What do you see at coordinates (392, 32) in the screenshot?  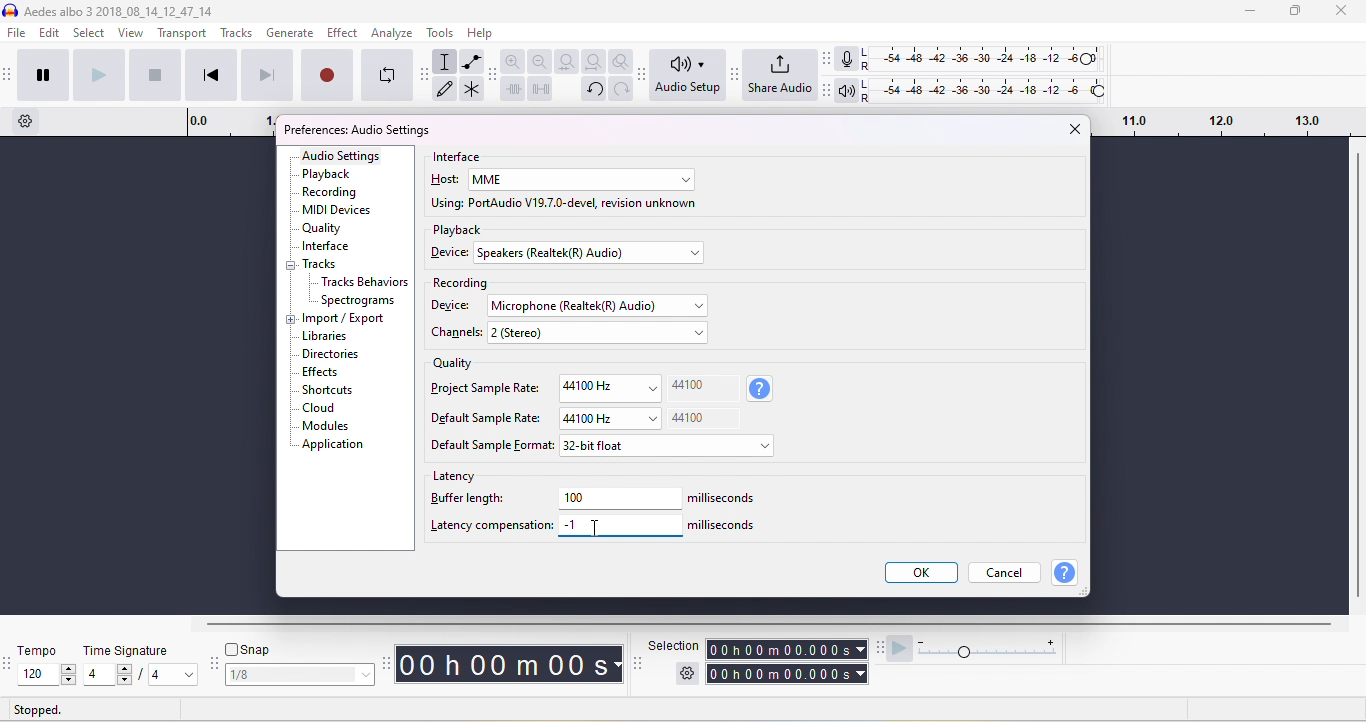 I see `analyze` at bounding box center [392, 32].